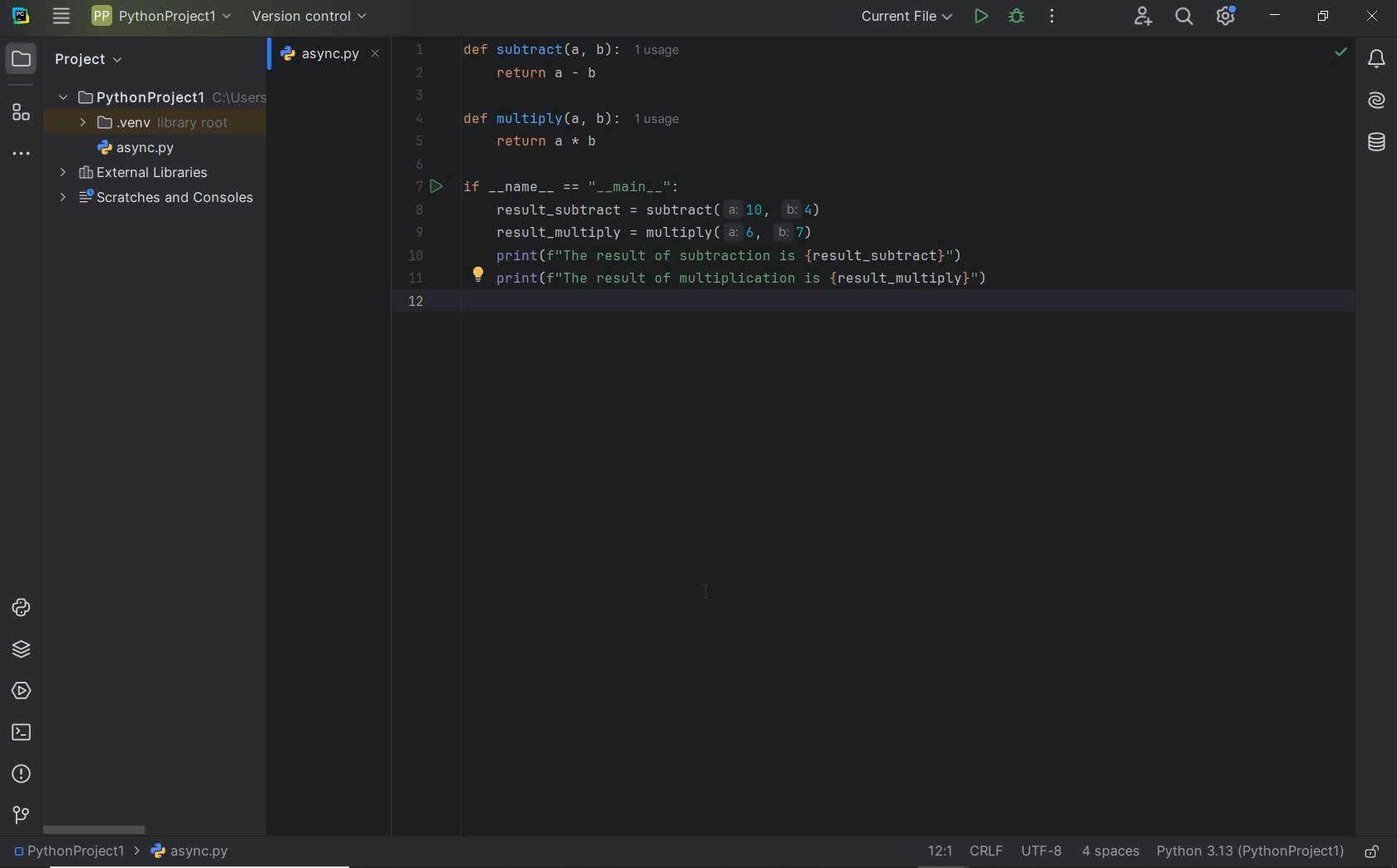 Image resolution: width=1397 pixels, height=868 pixels. What do you see at coordinates (1043, 852) in the screenshot?
I see `File Encoding` at bounding box center [1043, 852].